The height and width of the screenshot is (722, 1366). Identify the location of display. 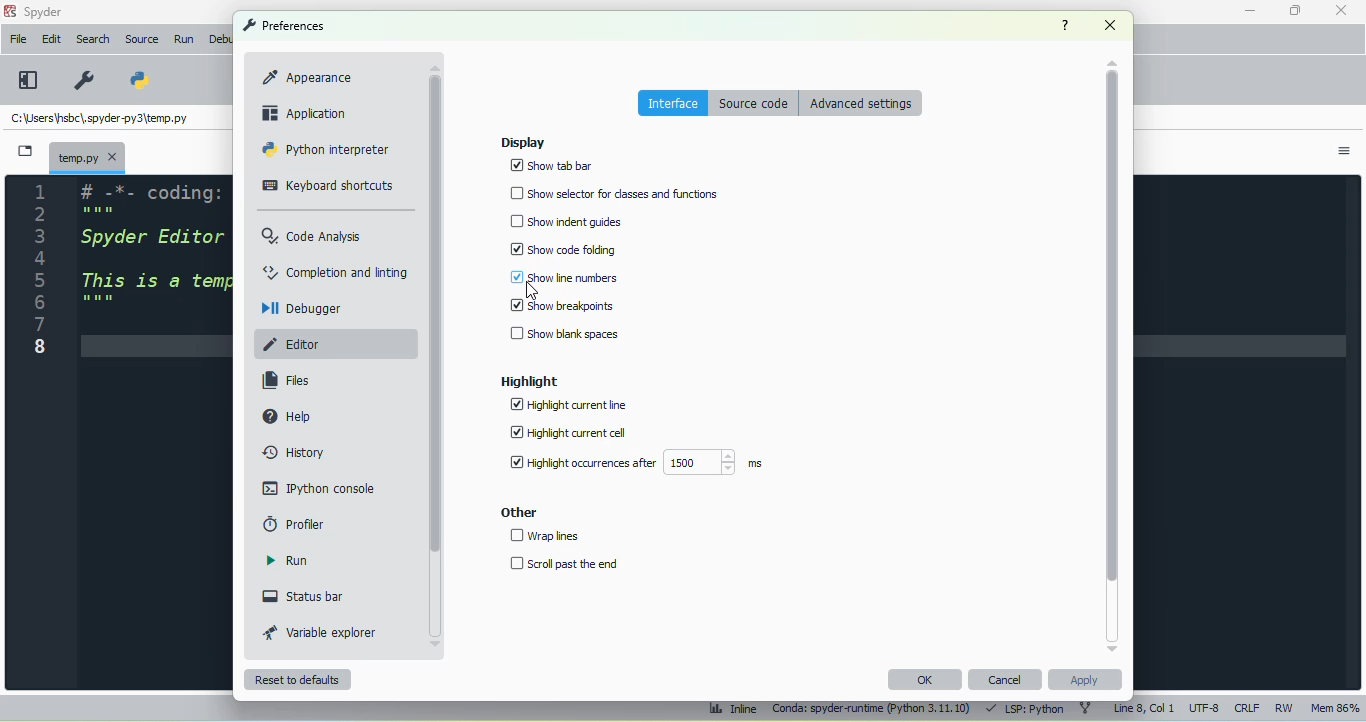
(523, 143).